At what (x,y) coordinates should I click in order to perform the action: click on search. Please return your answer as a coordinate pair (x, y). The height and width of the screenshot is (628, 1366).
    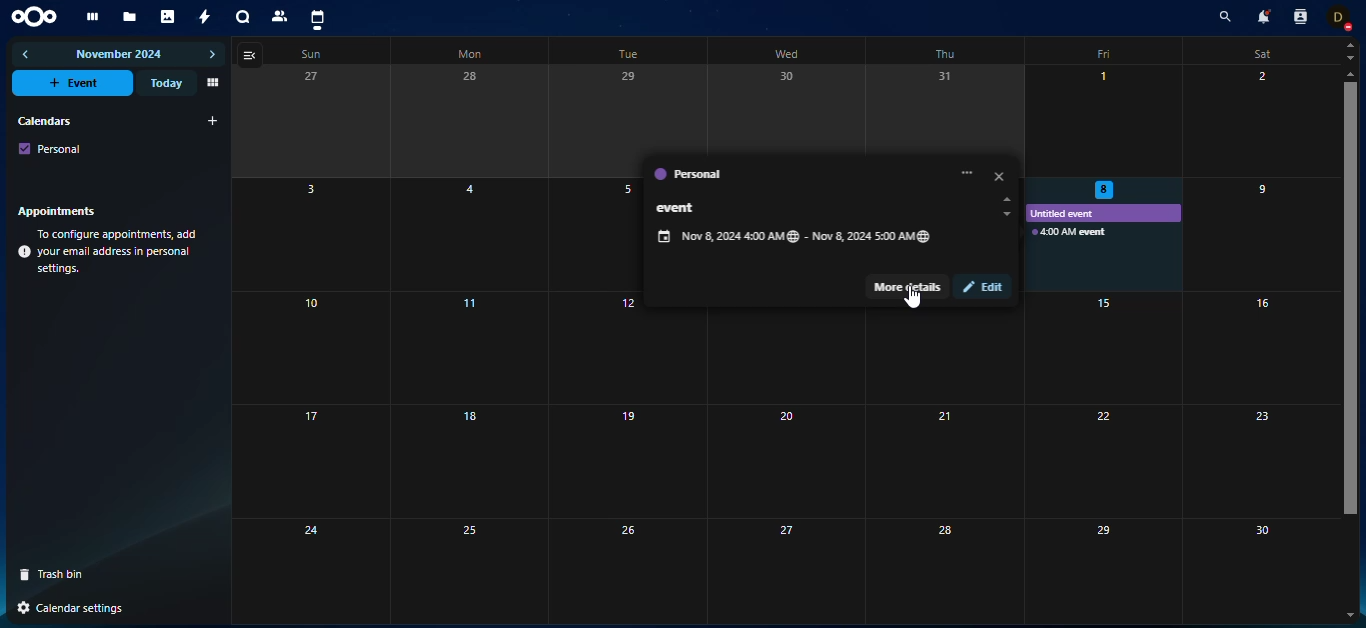
    Looking at the image, I should click on (1221, 18).